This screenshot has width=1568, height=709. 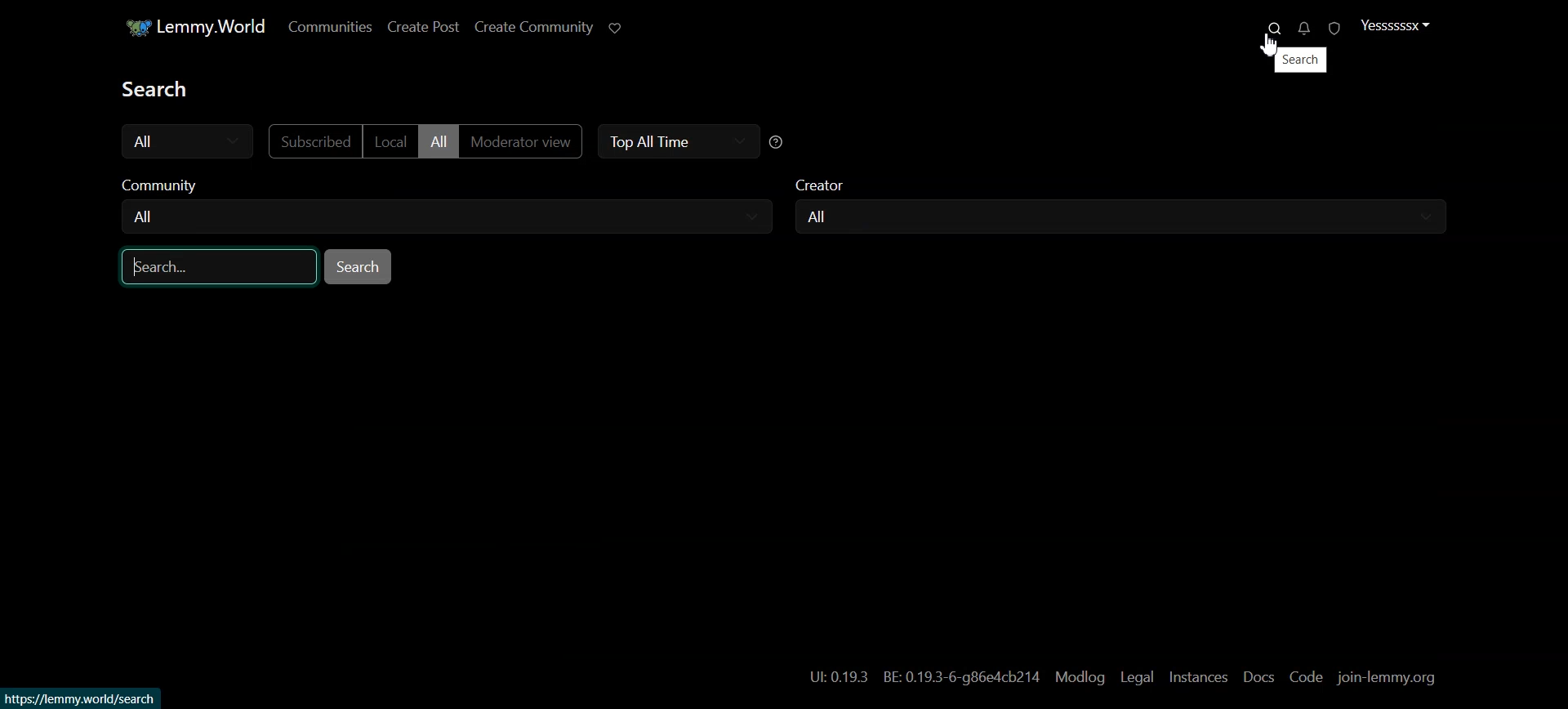 I want to click on Moderator view, so click(x=523, y=141).